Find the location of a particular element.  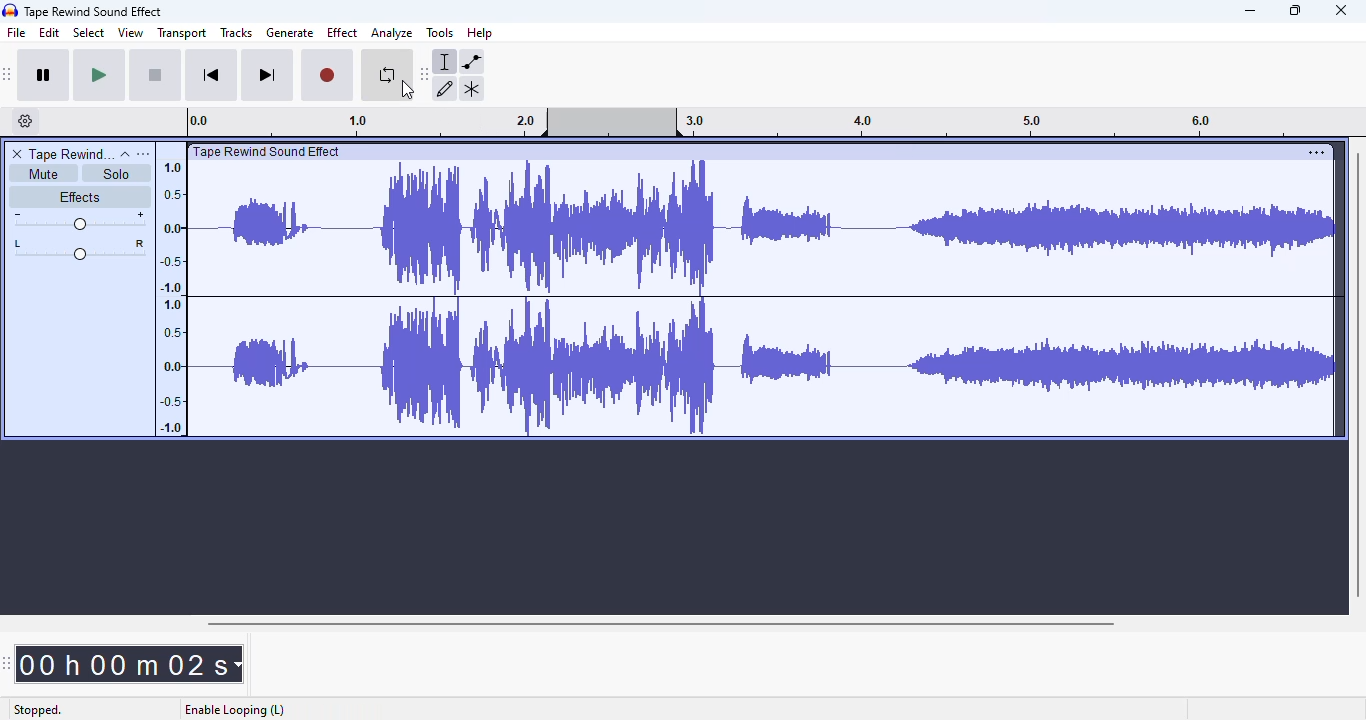

00h 00 m 02 s is located at coordinates (131, 658).